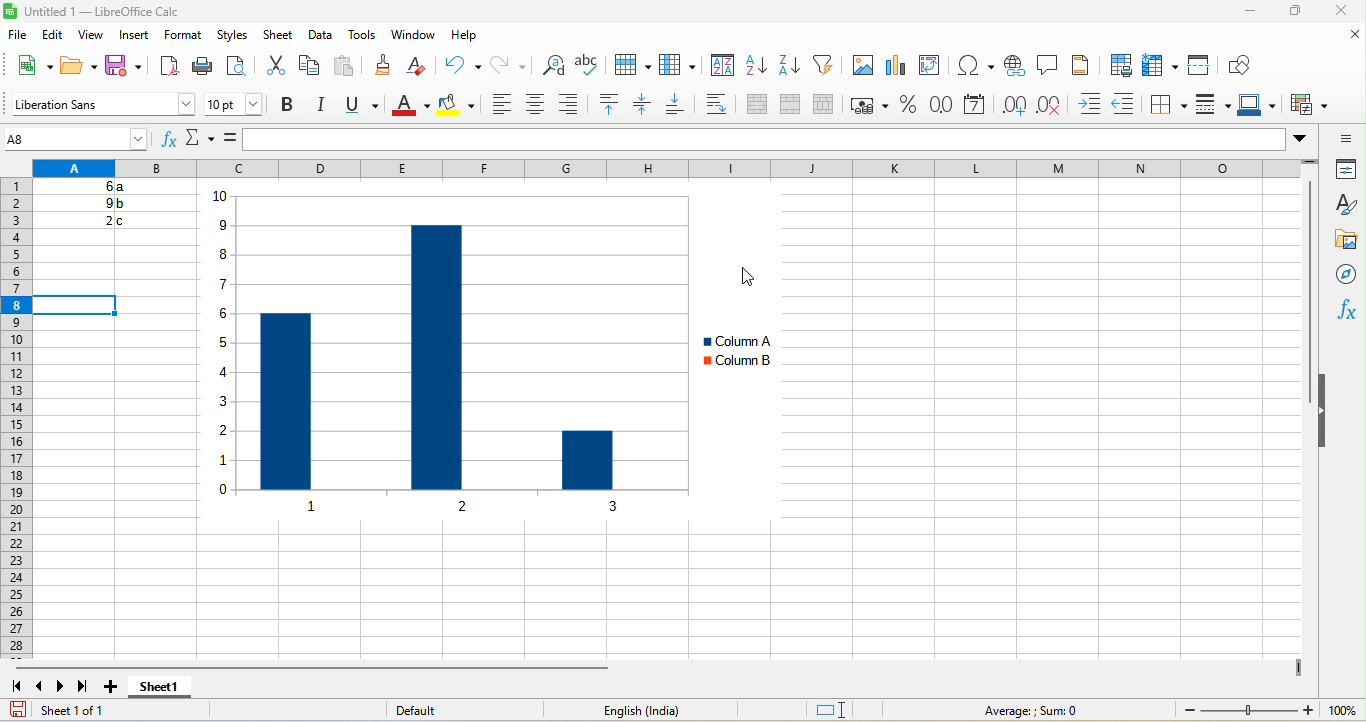 This screenshot has height=722, width=1366. Describe the element at coordinates (461, 71) in the screenshot. I see `undo` at that location.